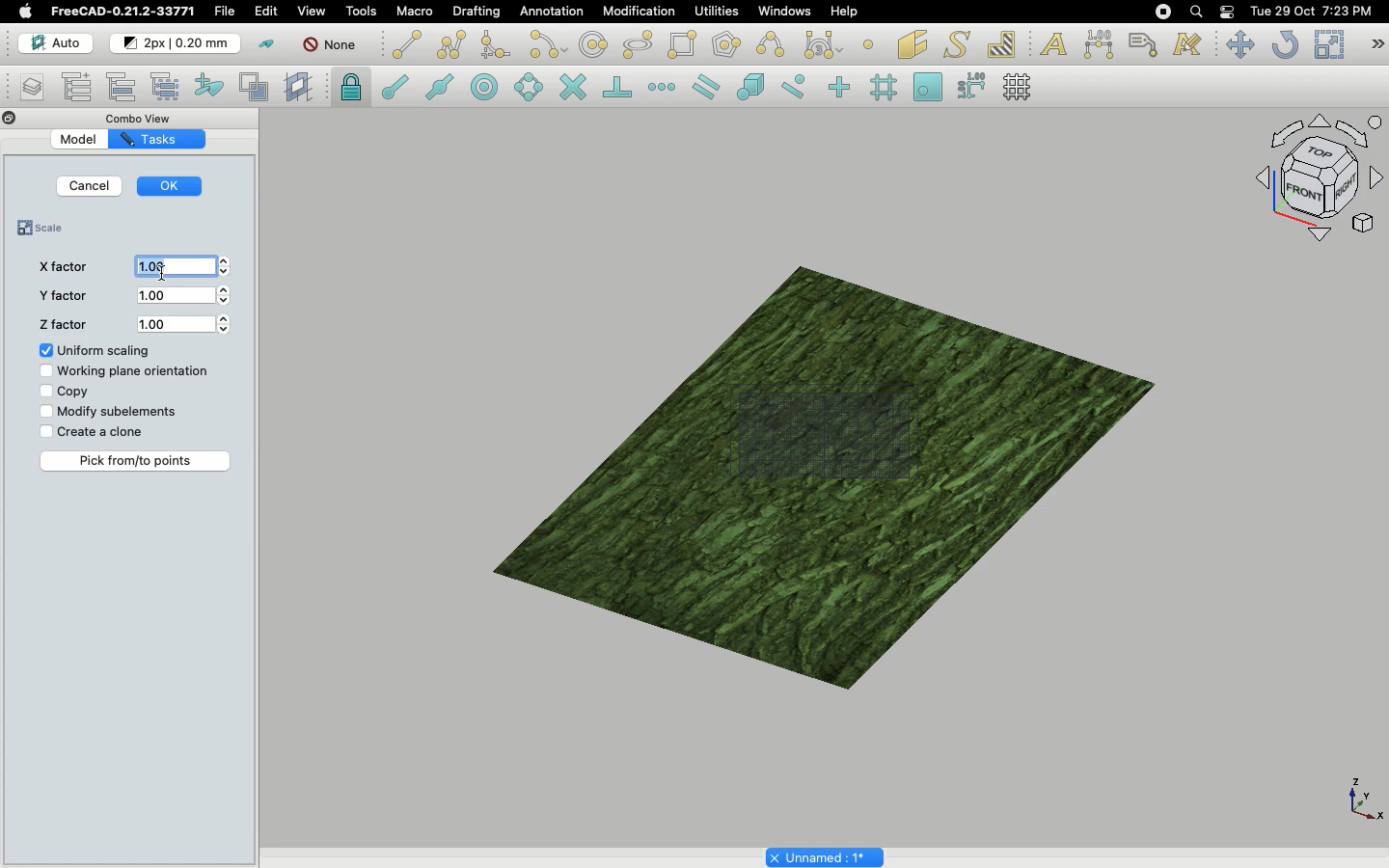 Image resolution: width=1389 pixels, height=868 pixels. I want to click on Close, so click(8, 118).